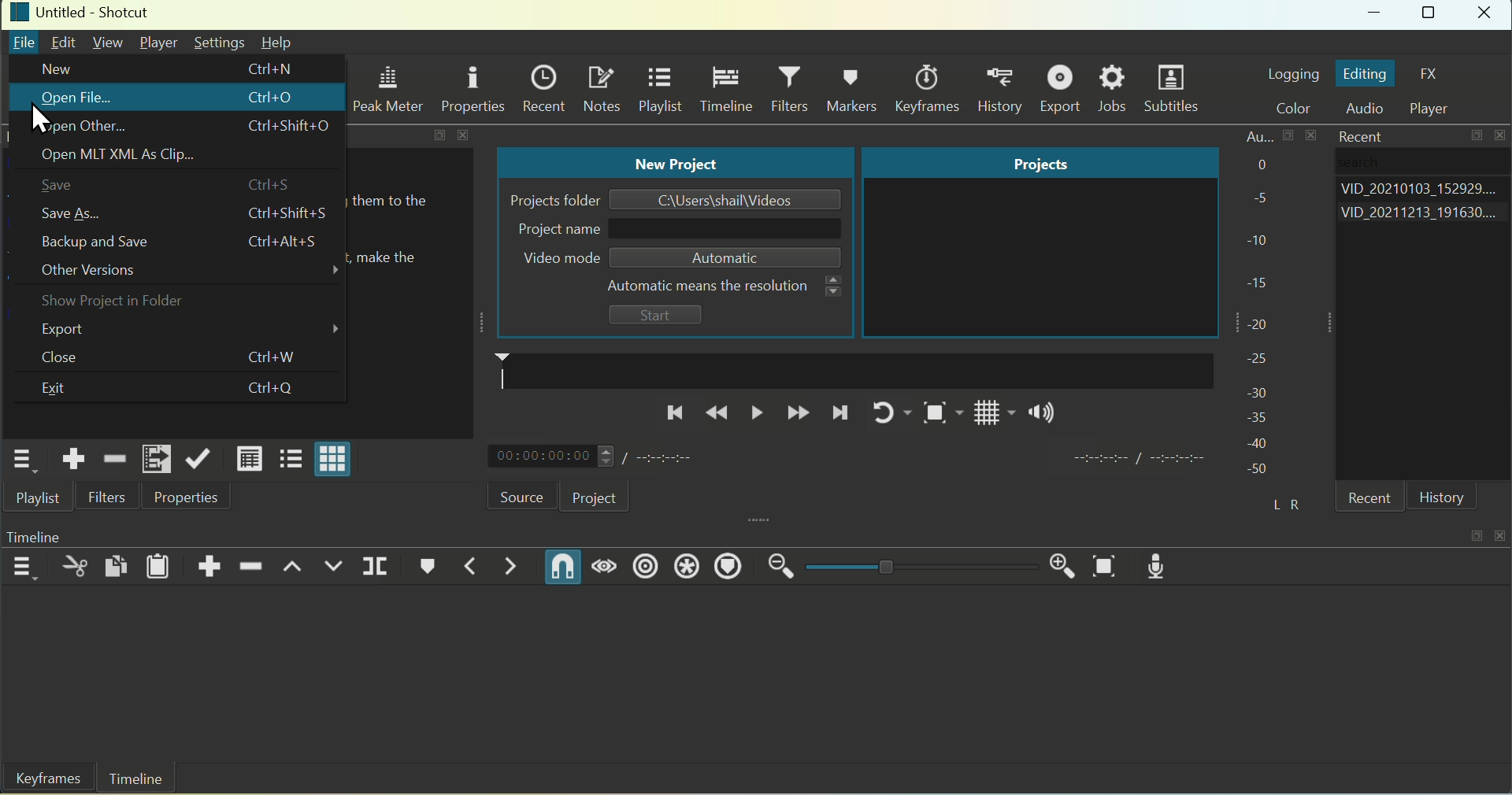 The image size is (1512, 795). What do you see at coordinates (253, 564) in the screenshot?
I see `Delete` at bounding box center [253, 564].